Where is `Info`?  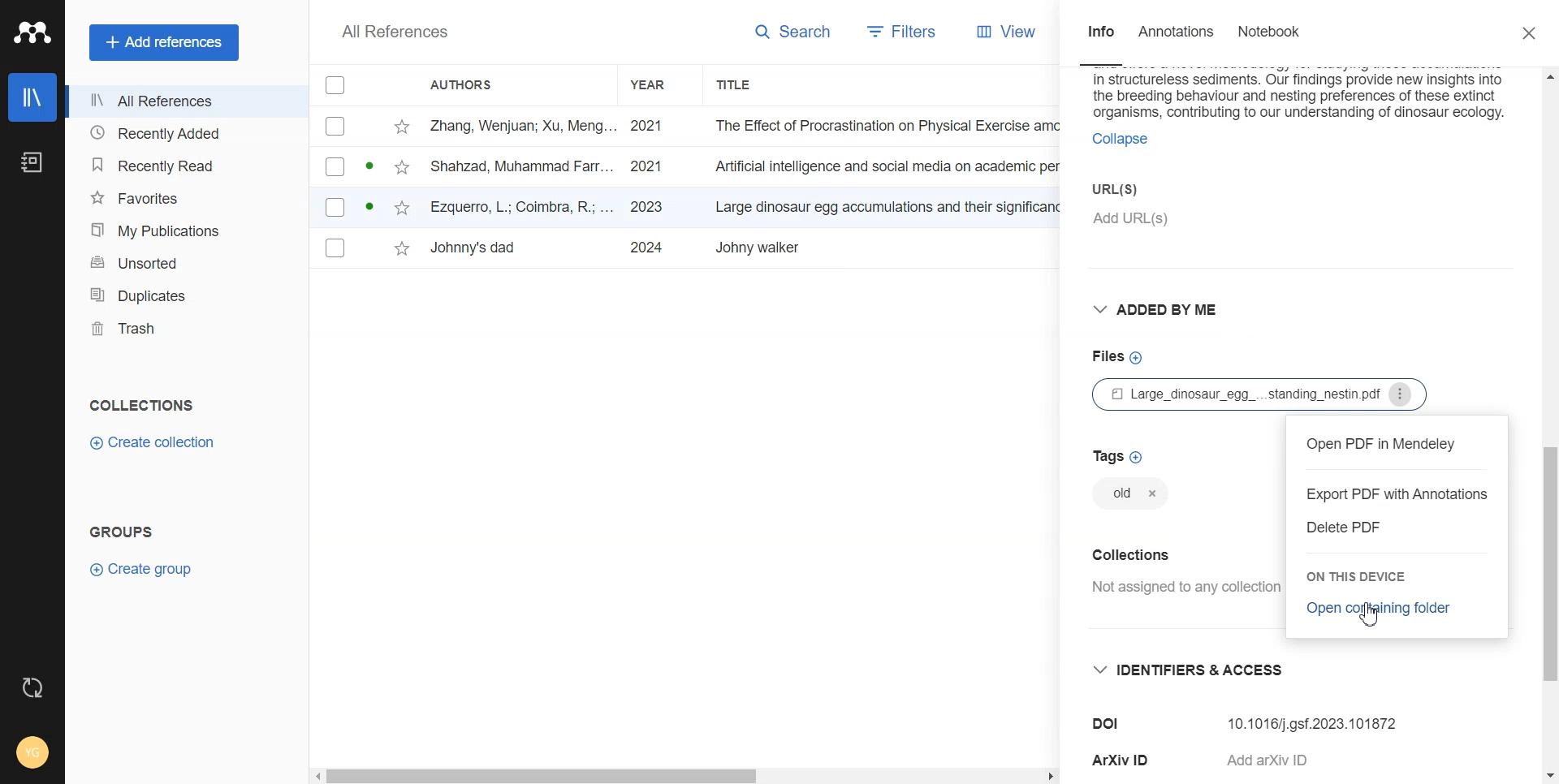
Info is located at coordinates (1099, 33).